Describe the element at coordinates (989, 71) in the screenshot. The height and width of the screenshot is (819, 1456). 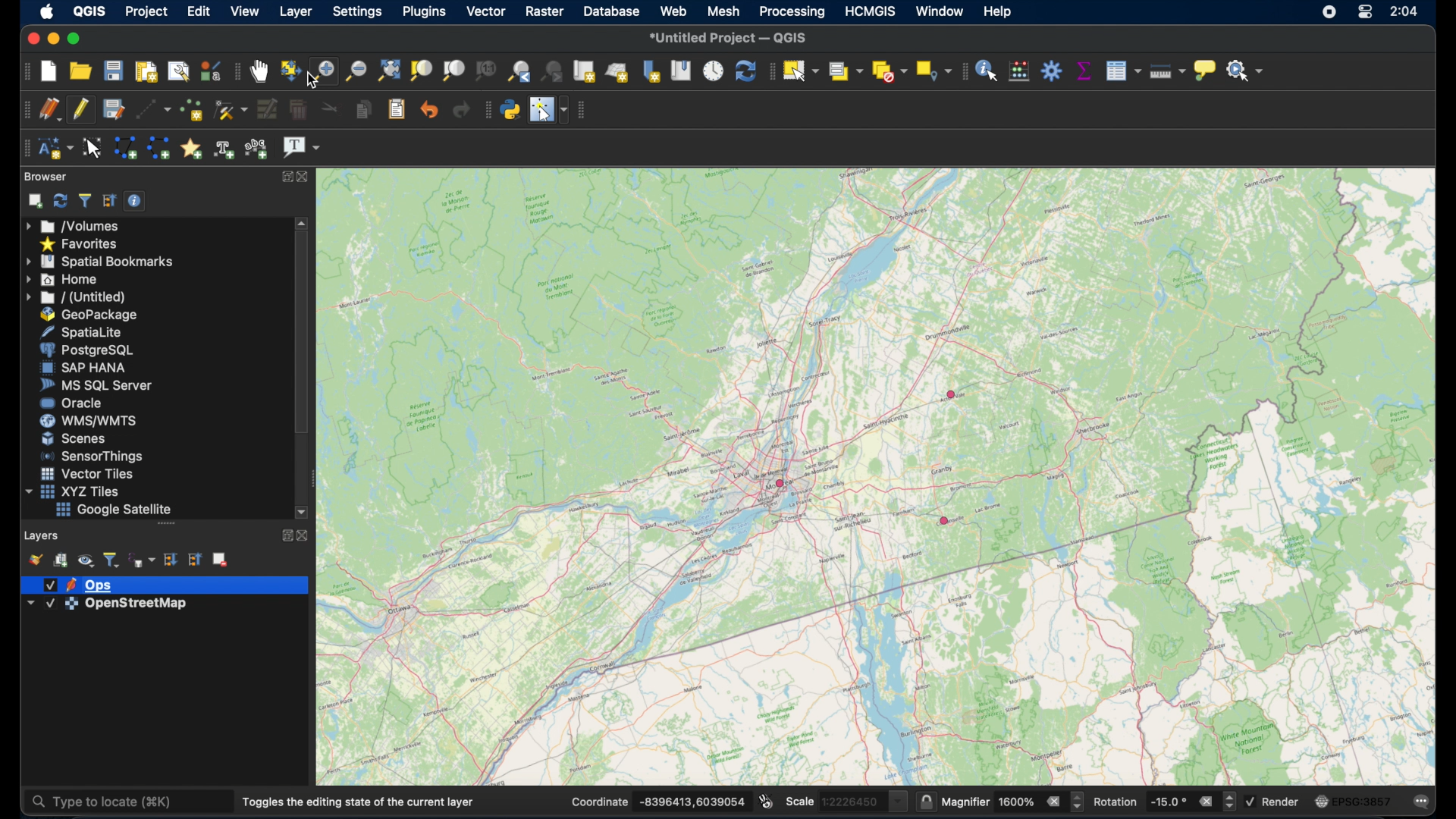
I see `identify features` at that location.